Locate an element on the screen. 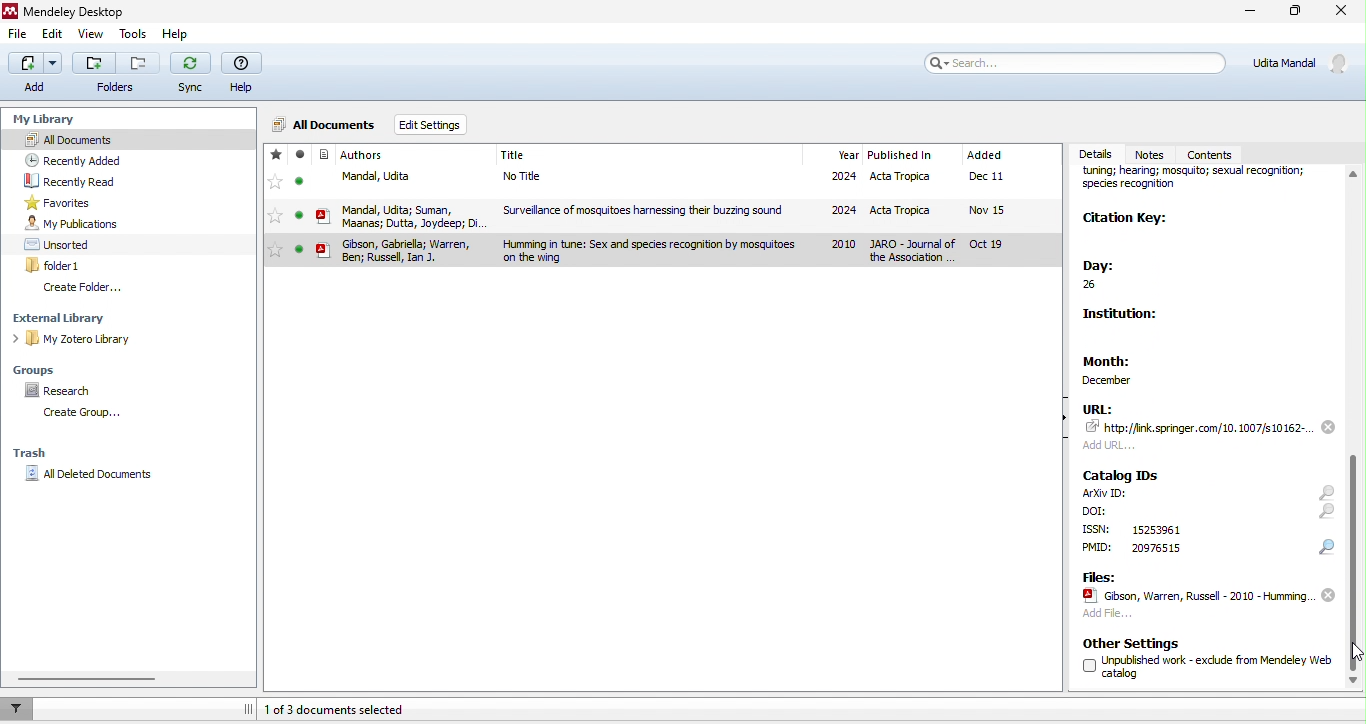 The height and width of the screenshot is (724, 1366). search bar is located at coordinates (1076, 63).